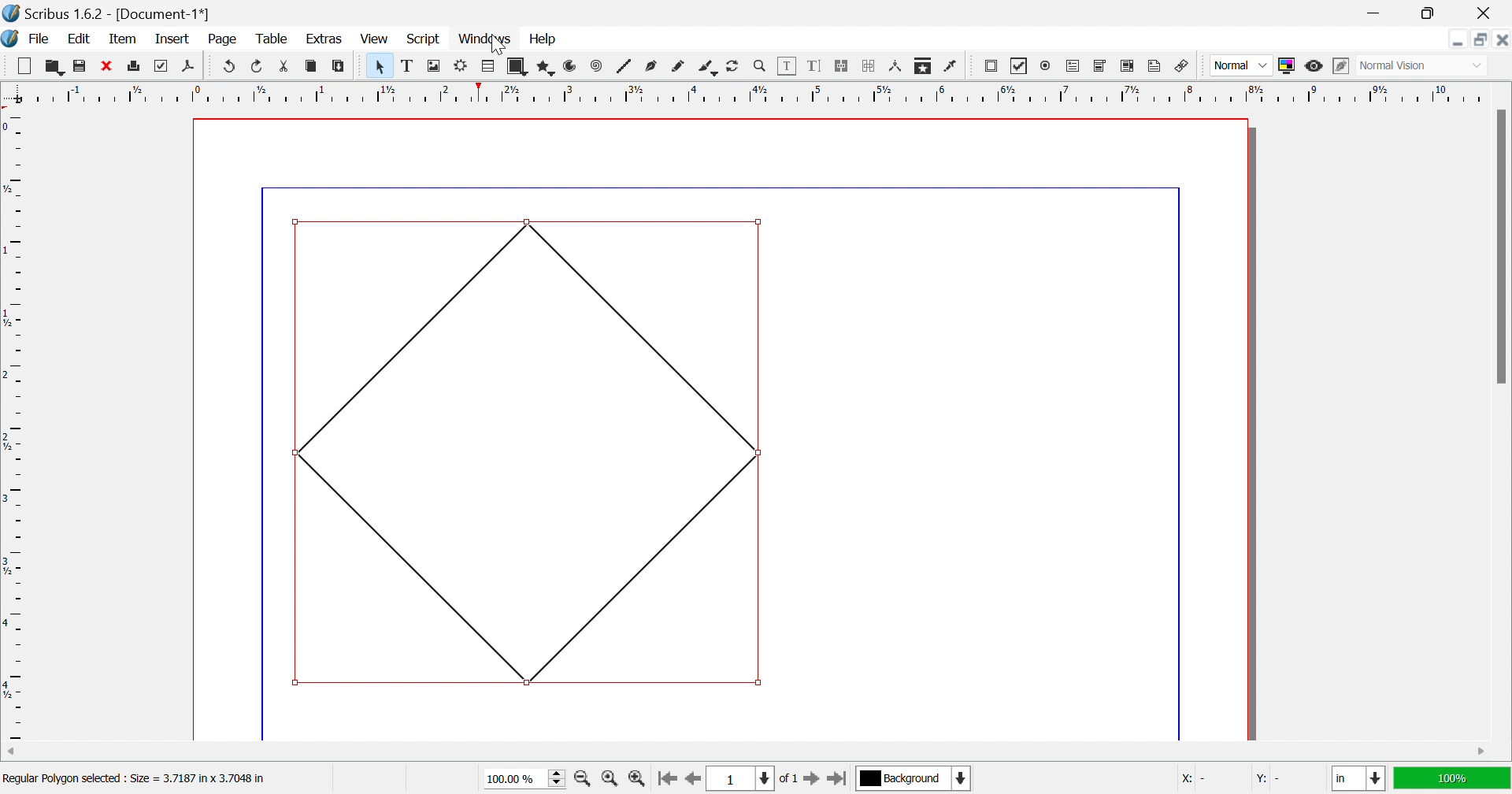 The image size is (1512, 794). Describe the element at coordinates (836, 781) in the screenshot. I see `Go to the last page` at that location.